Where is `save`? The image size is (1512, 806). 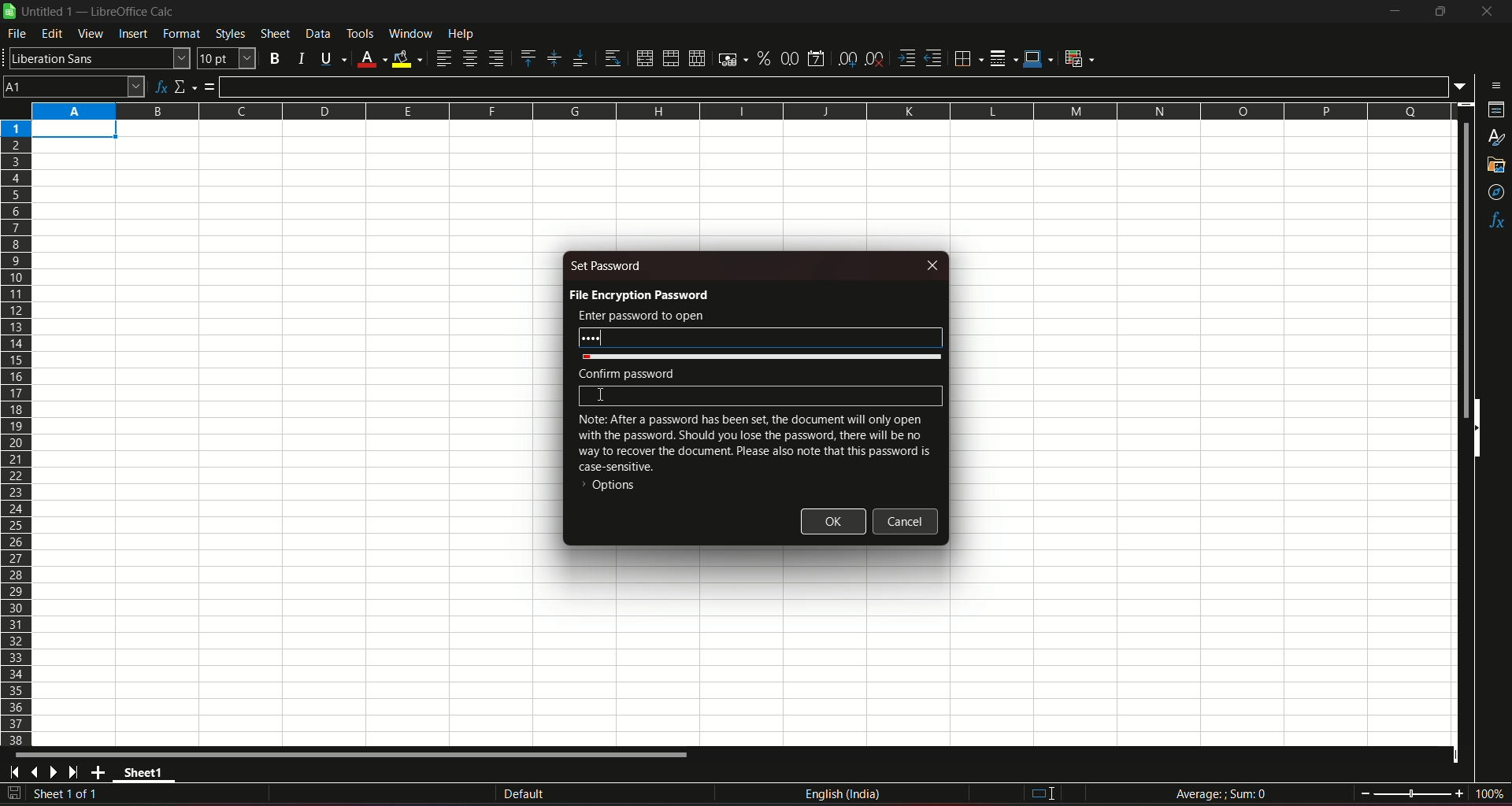 save is located at coordinates (14, 793).